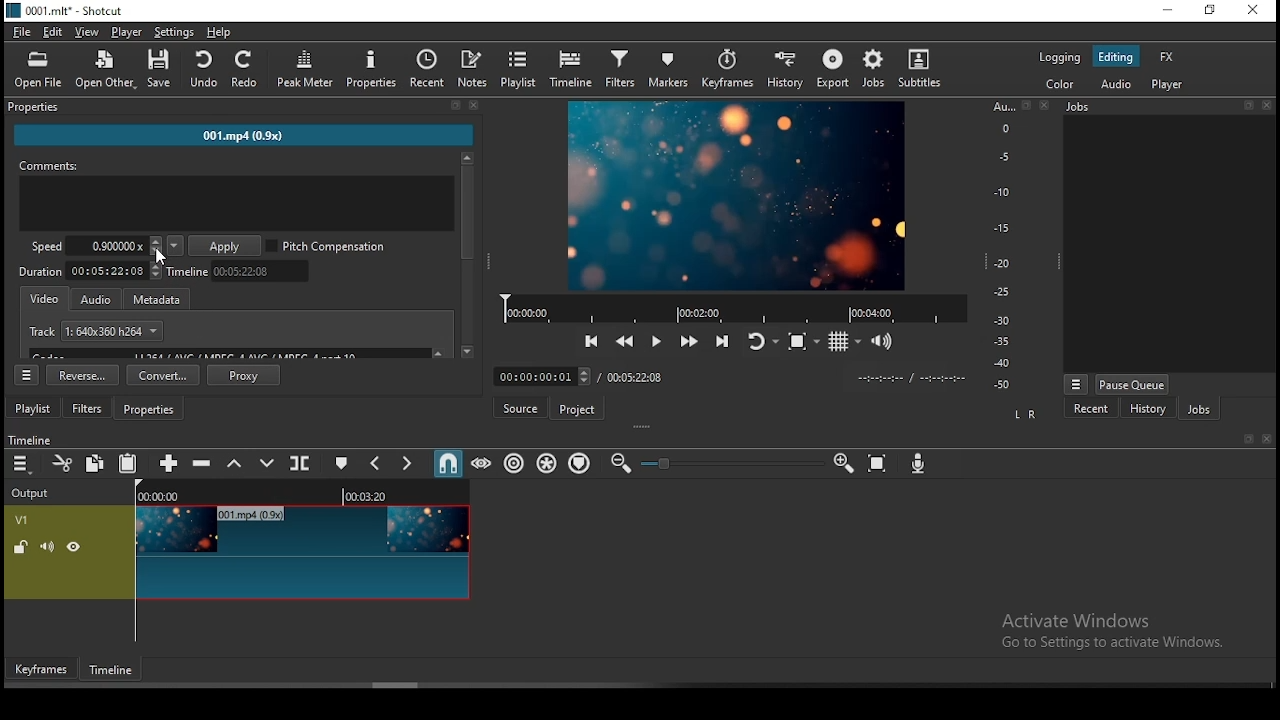 Image resolution: width=1280 pixels, height=720 pixels. Describe the element at coordinates (87, 271) in the screenshot. I see `video duration` at that location.